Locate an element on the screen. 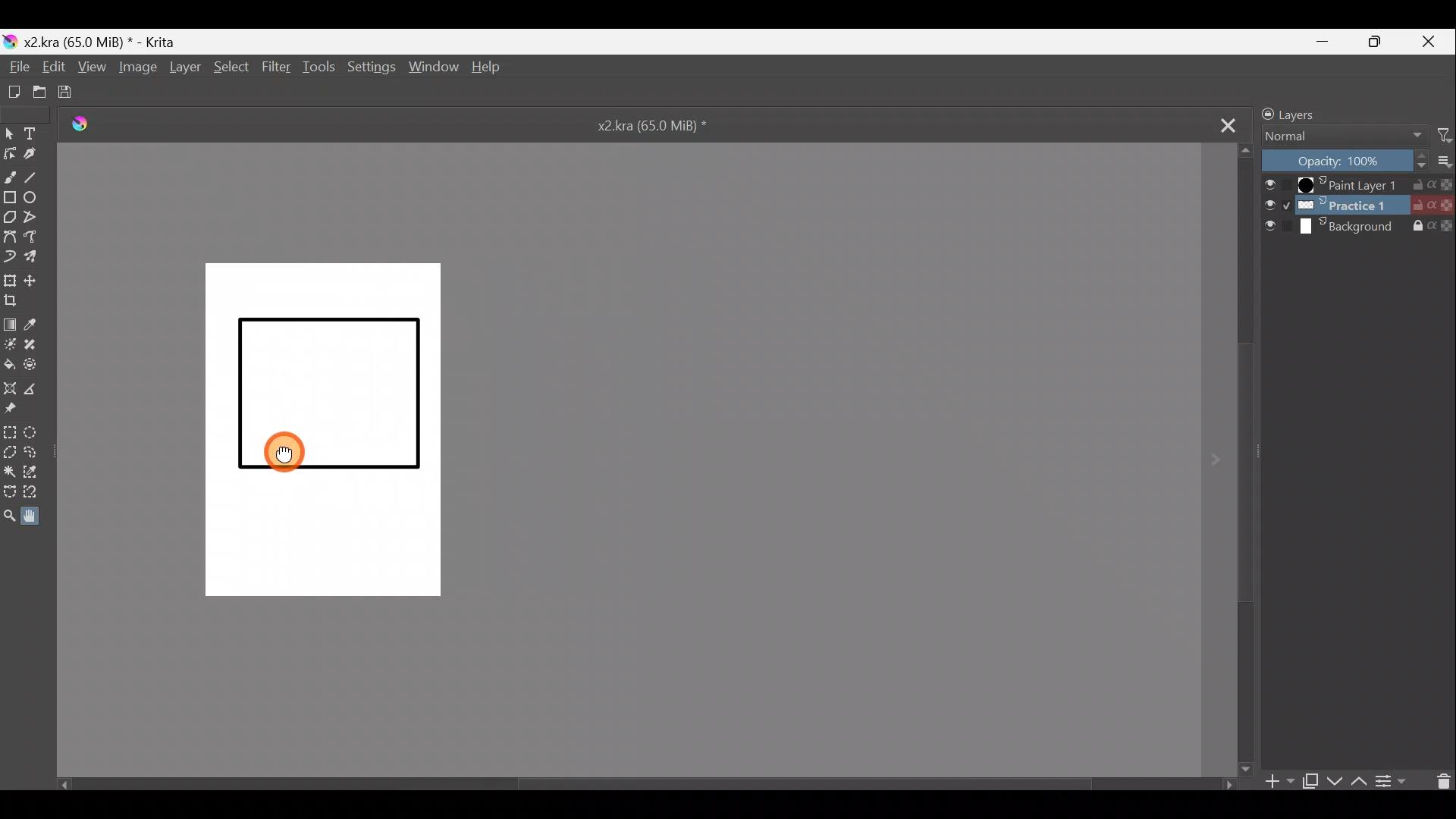 Image resolution: width=1456 pixels, height=819 pixels. Filter is located at coordinates (1439, 138).